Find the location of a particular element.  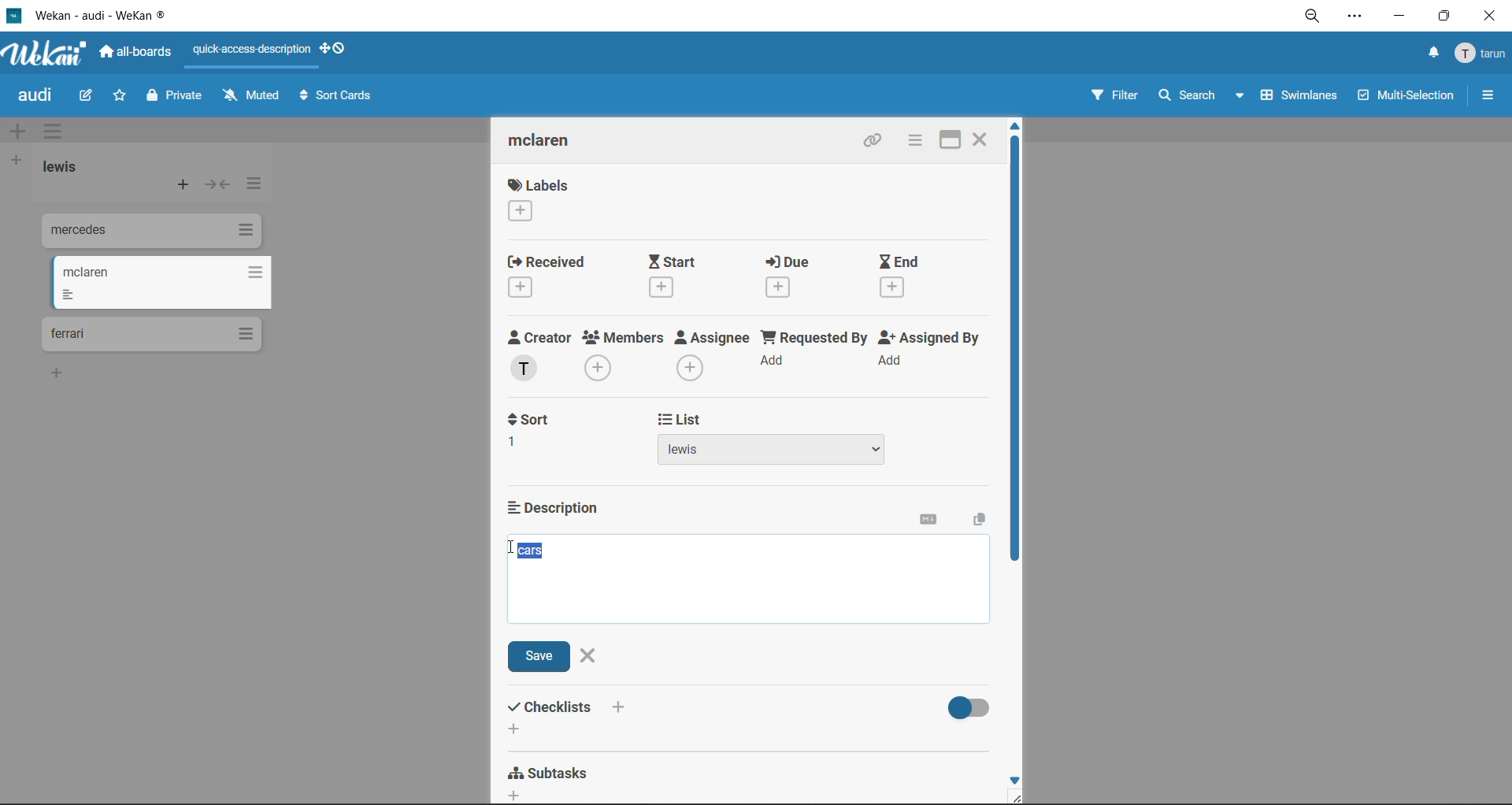

swimlane actions is located at coordinates (57, 132).